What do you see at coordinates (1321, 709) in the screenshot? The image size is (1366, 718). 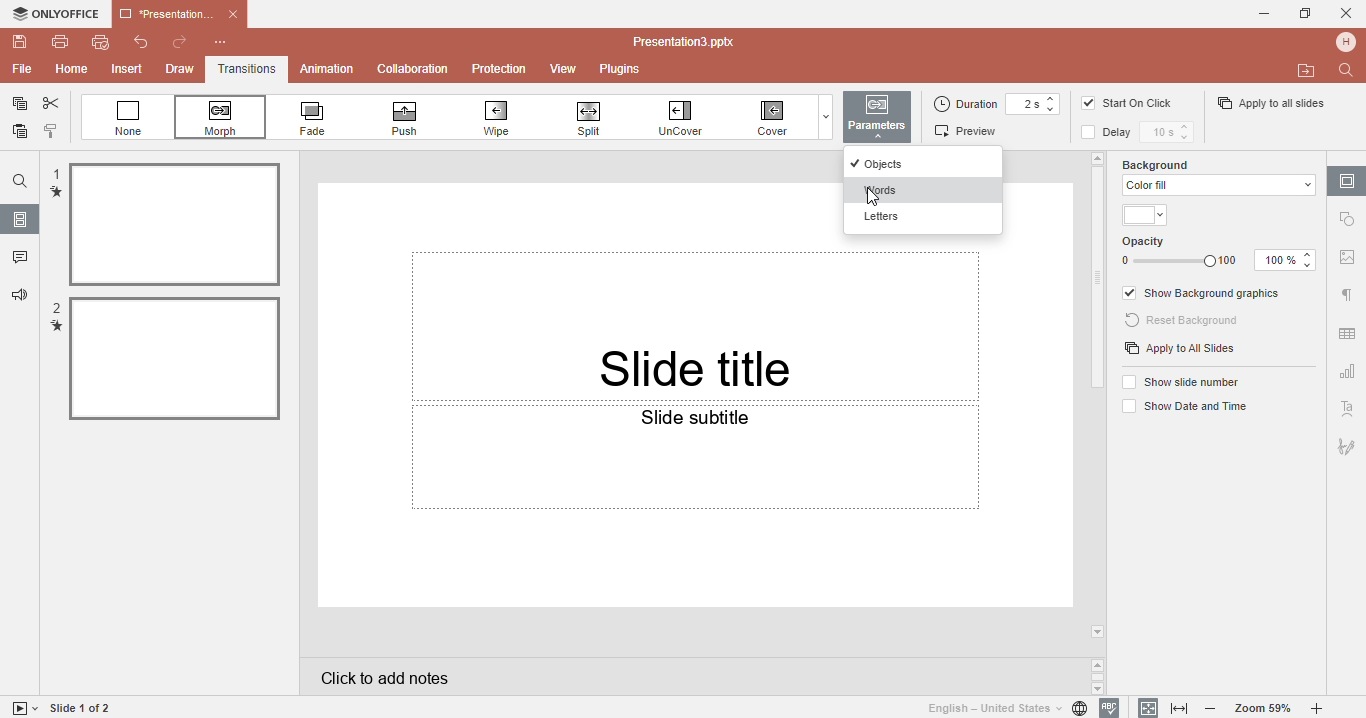 I see `Zoom in` at bounding box center [1321, 709].